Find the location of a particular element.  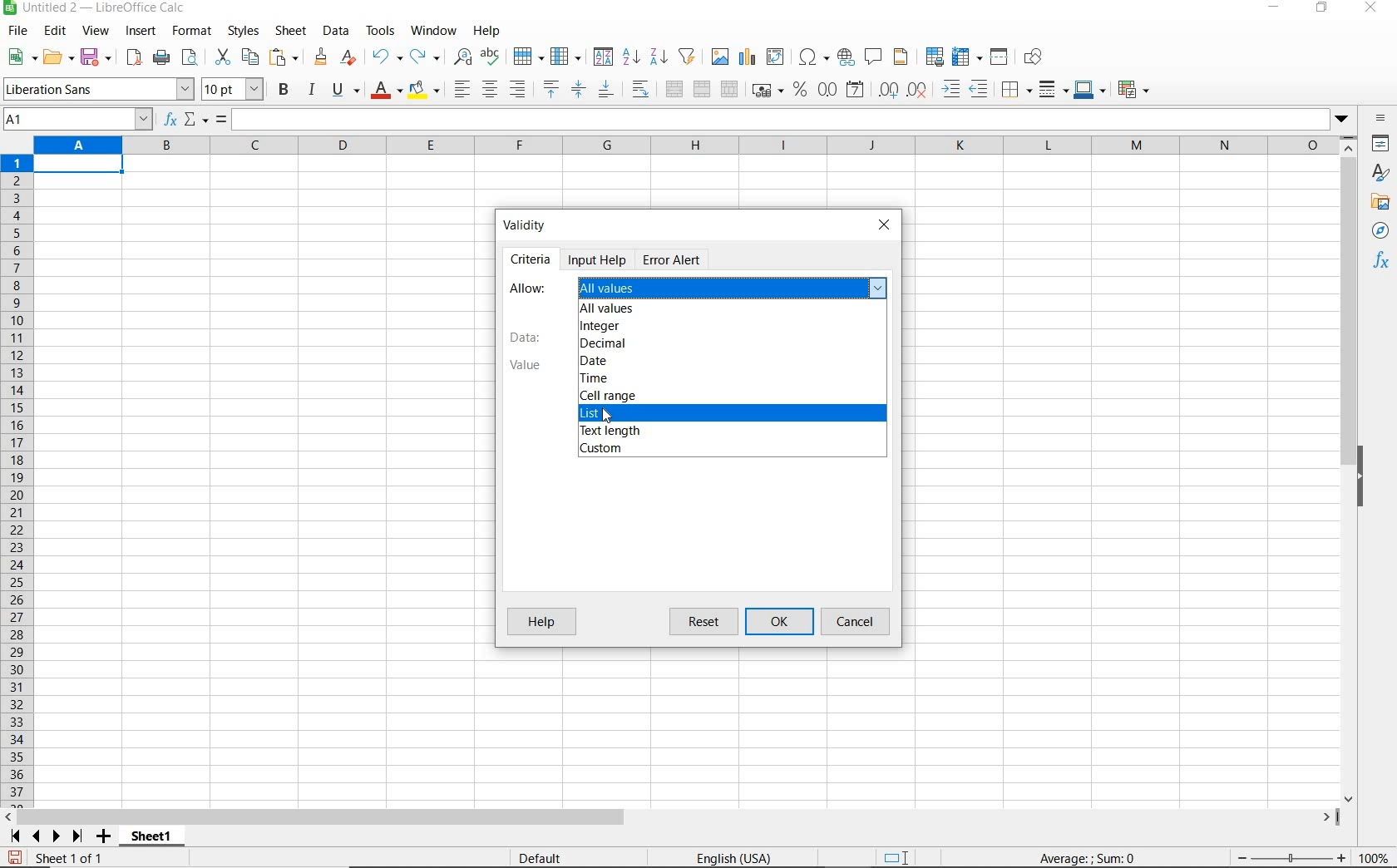

input help is located at coordinates (599, 259).